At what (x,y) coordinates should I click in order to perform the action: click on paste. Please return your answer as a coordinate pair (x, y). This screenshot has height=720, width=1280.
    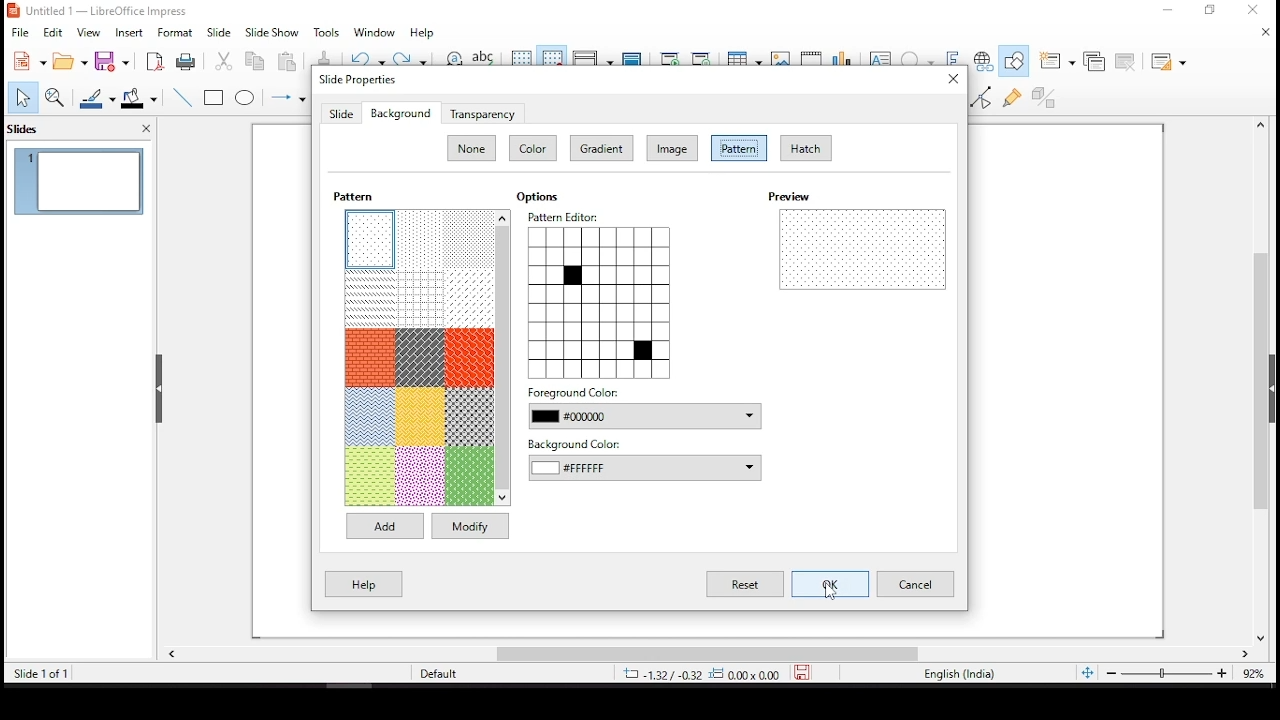
    Looking at the image, I should click on (288, 65).